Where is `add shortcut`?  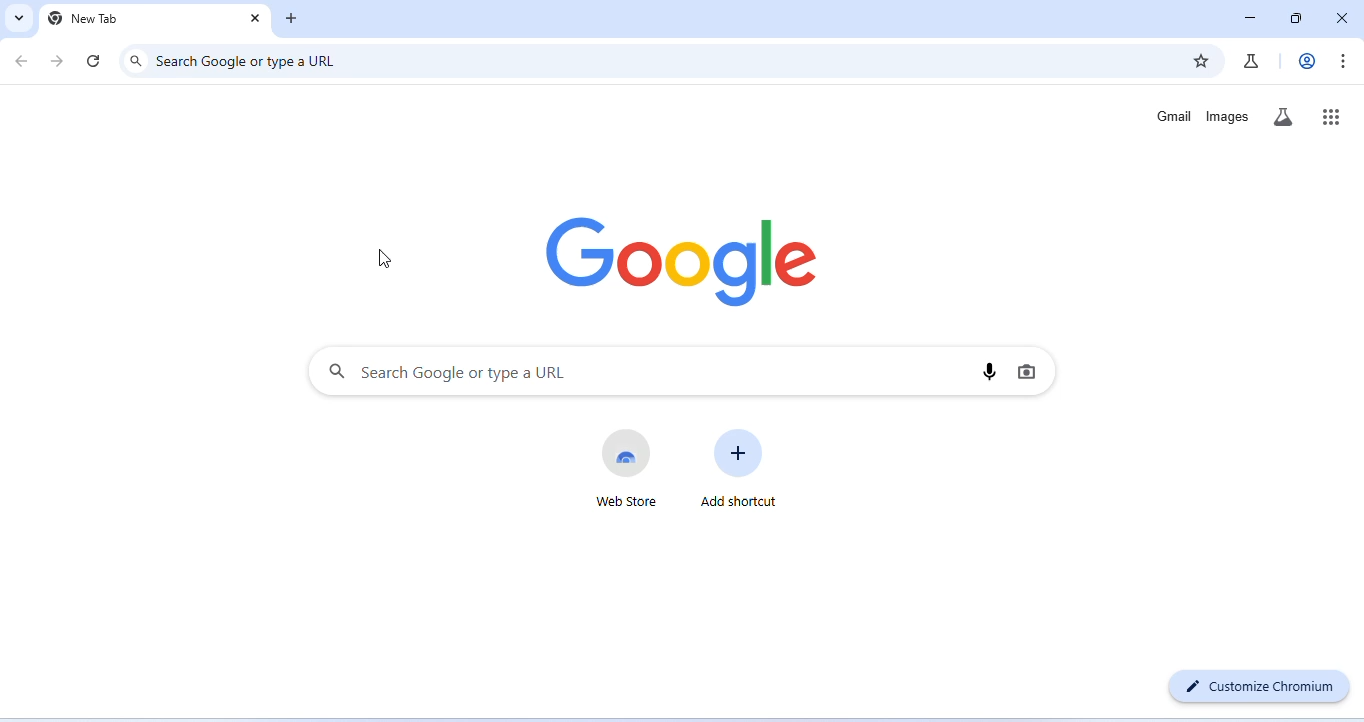 add shortcut is located at coordinates (739, 470).